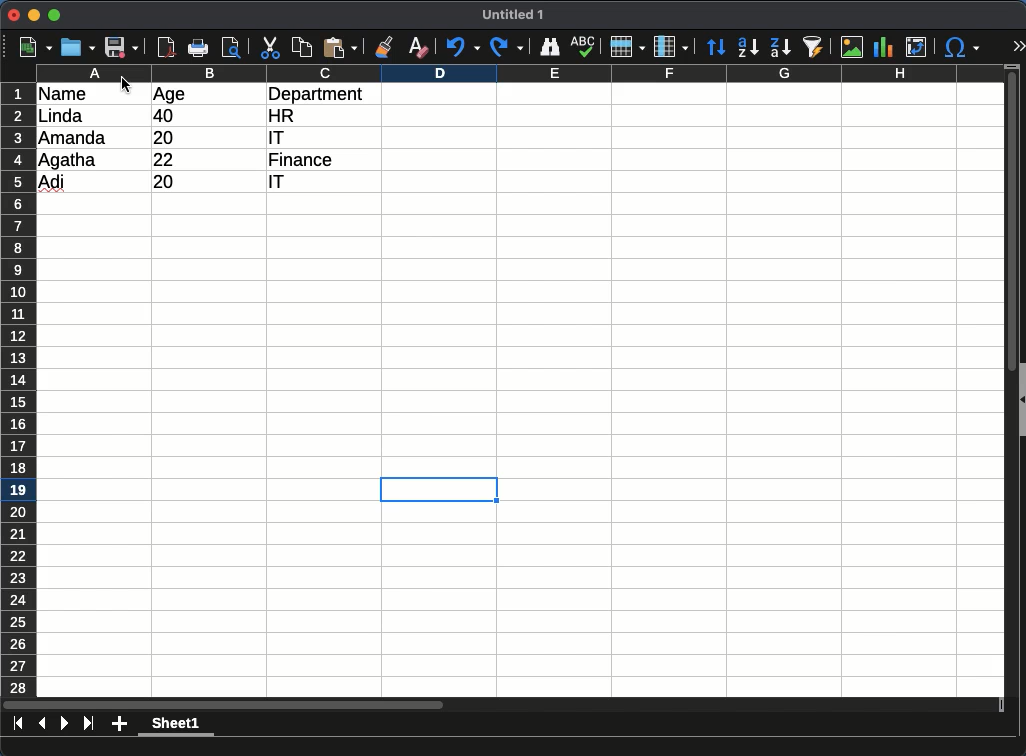 This screenshot has height=756, width=1026. What do you see at coordinates (520, 73) in the screenshot?
I see `columns` at bounding box center [520, 73].